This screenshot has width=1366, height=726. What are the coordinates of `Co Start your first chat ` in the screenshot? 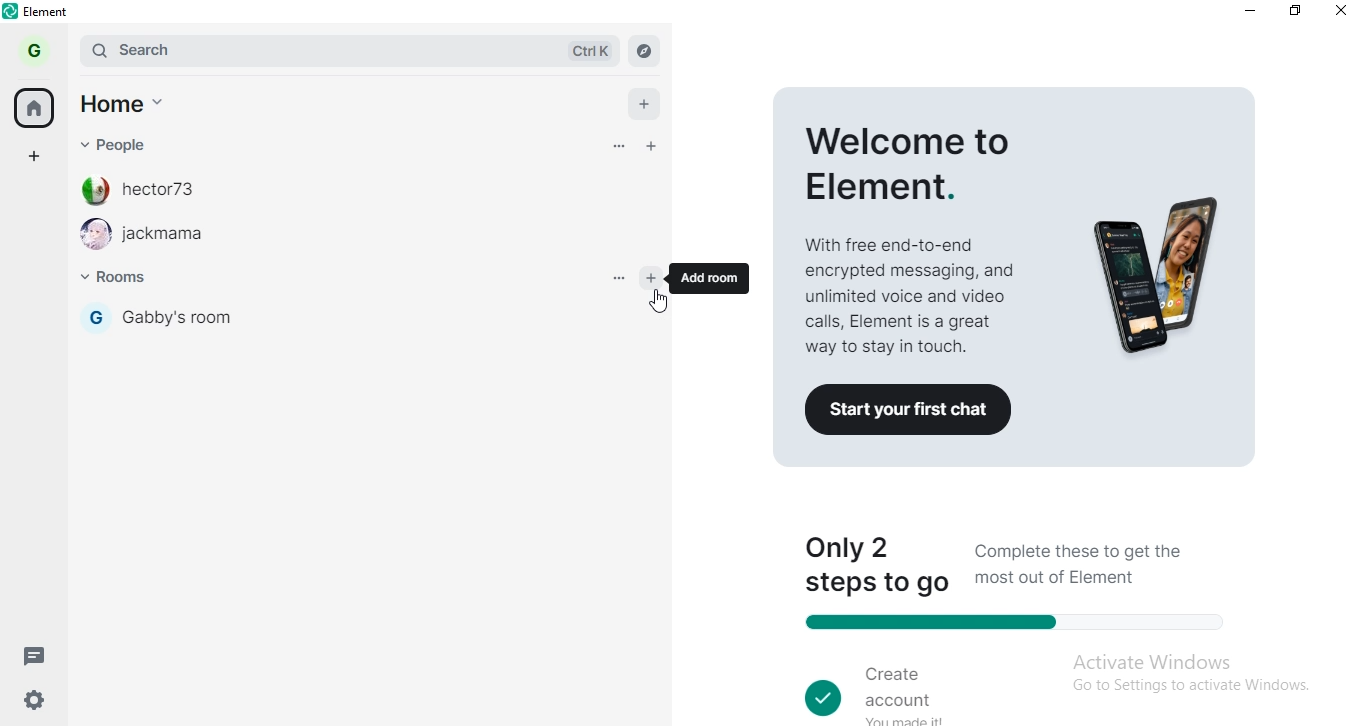 It's located at (915, 410).